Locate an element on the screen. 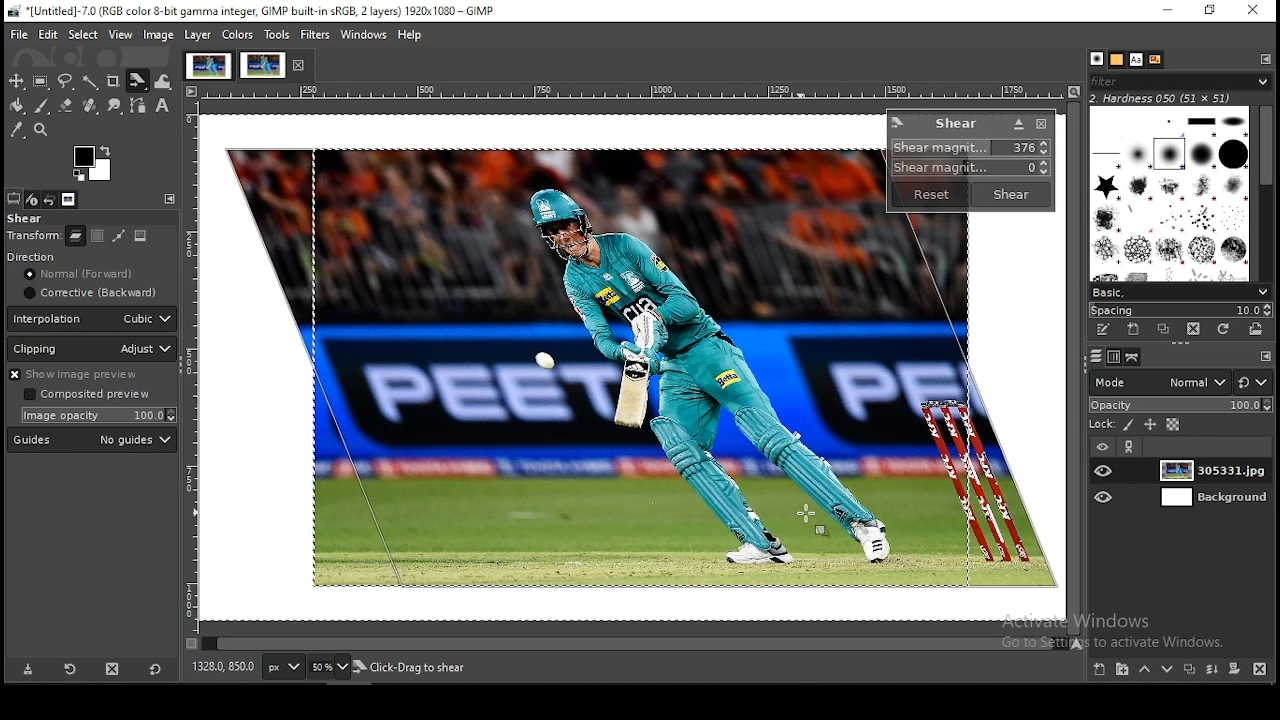 The height and width of the screenshot is (720, 1280). paths tools is located at coordinates (138, 105).